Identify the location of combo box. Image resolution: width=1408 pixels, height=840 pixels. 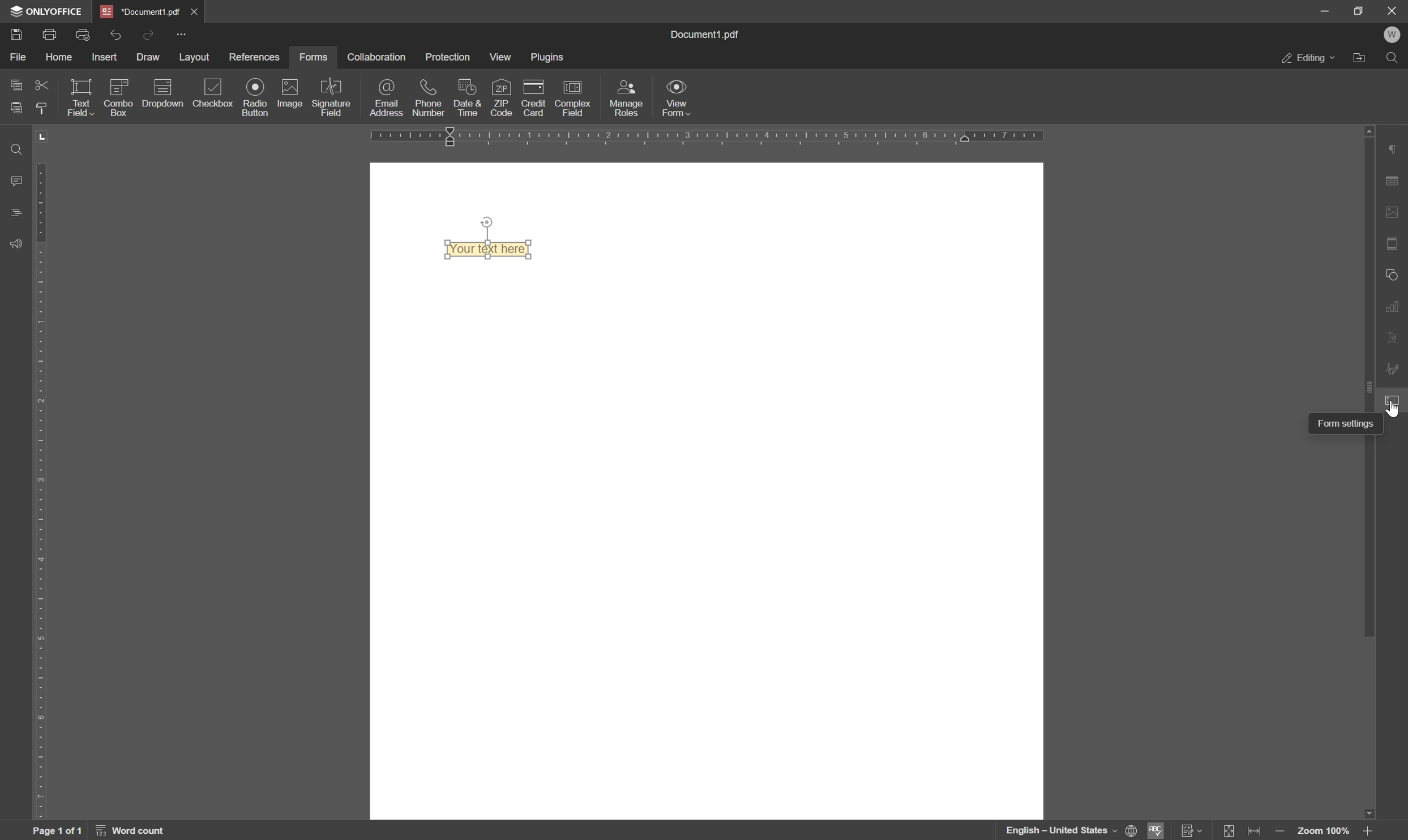
(118, 109).